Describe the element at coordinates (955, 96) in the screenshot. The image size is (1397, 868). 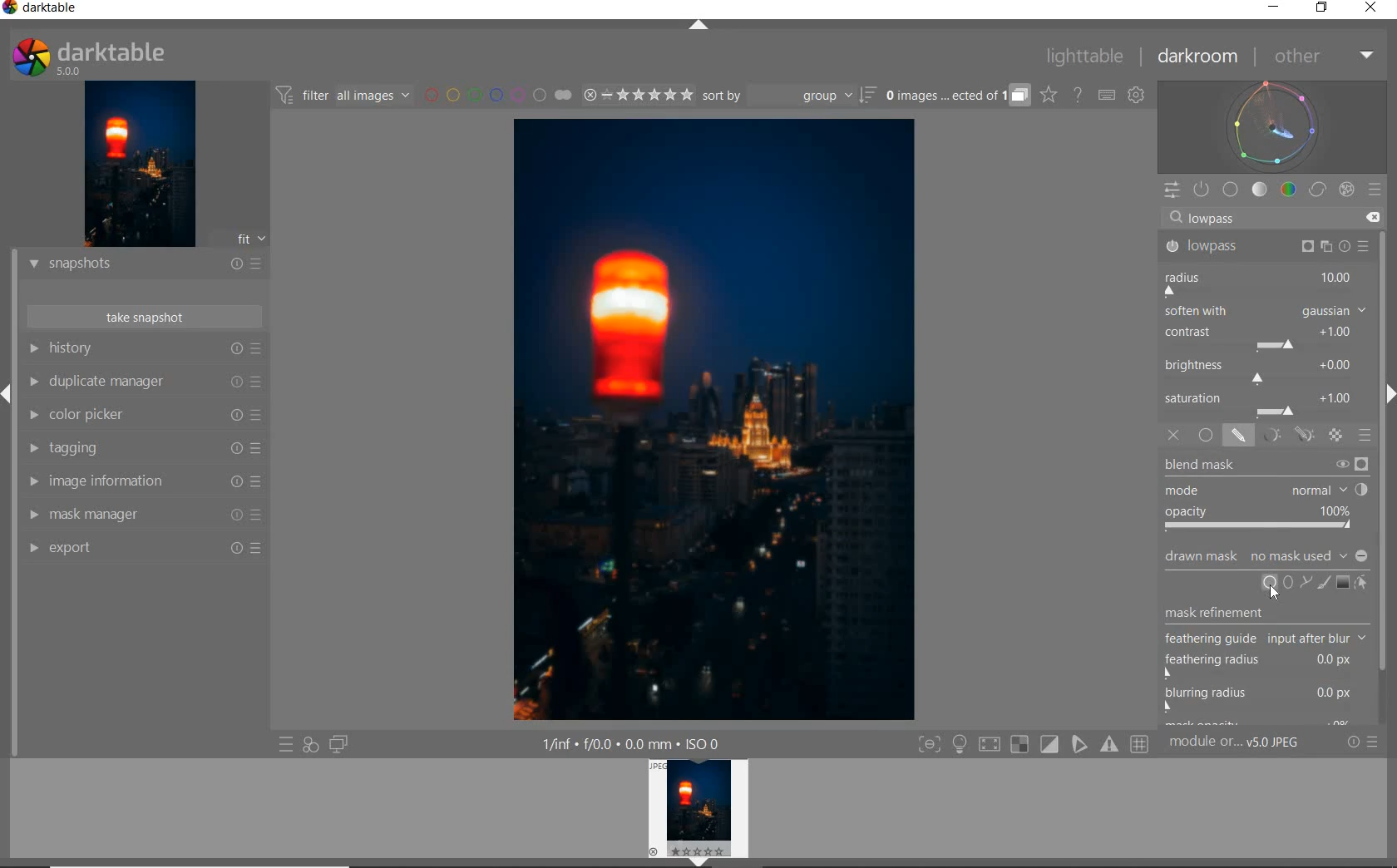
I see `EXPAND GROUPED IMAGES` at that location.